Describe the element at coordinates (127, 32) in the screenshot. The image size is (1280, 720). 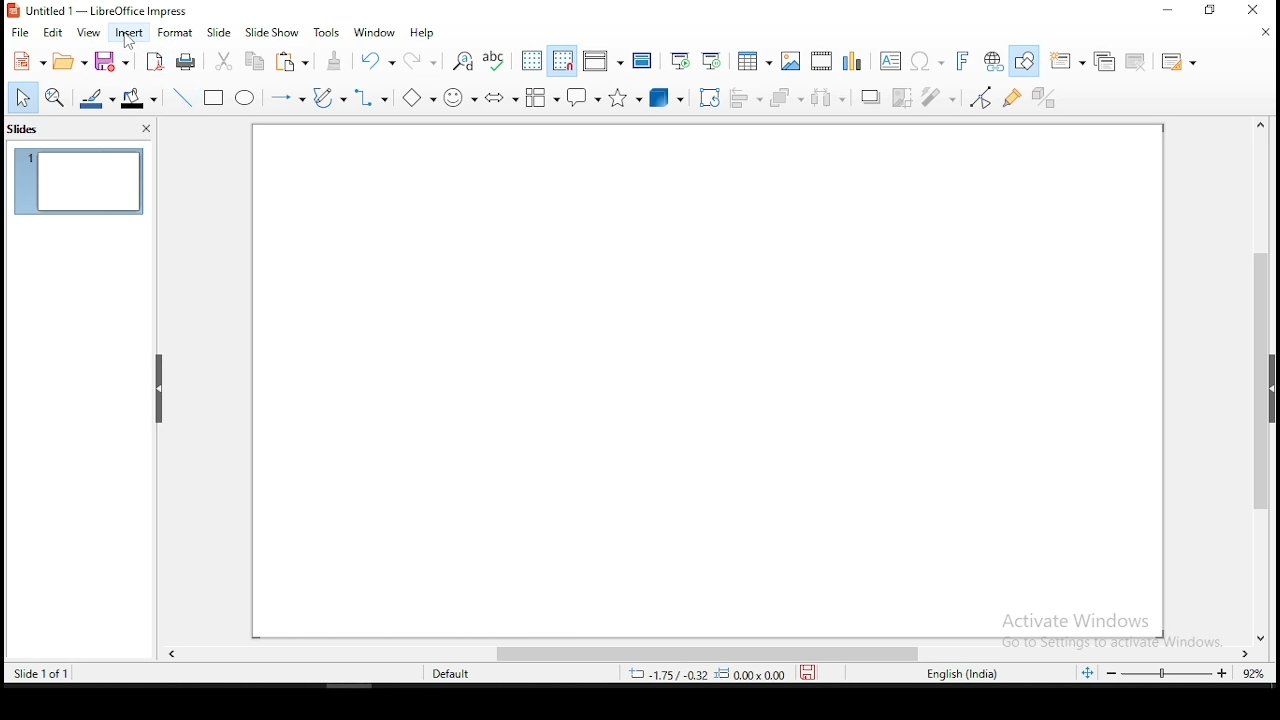
I see `insert` at that location.